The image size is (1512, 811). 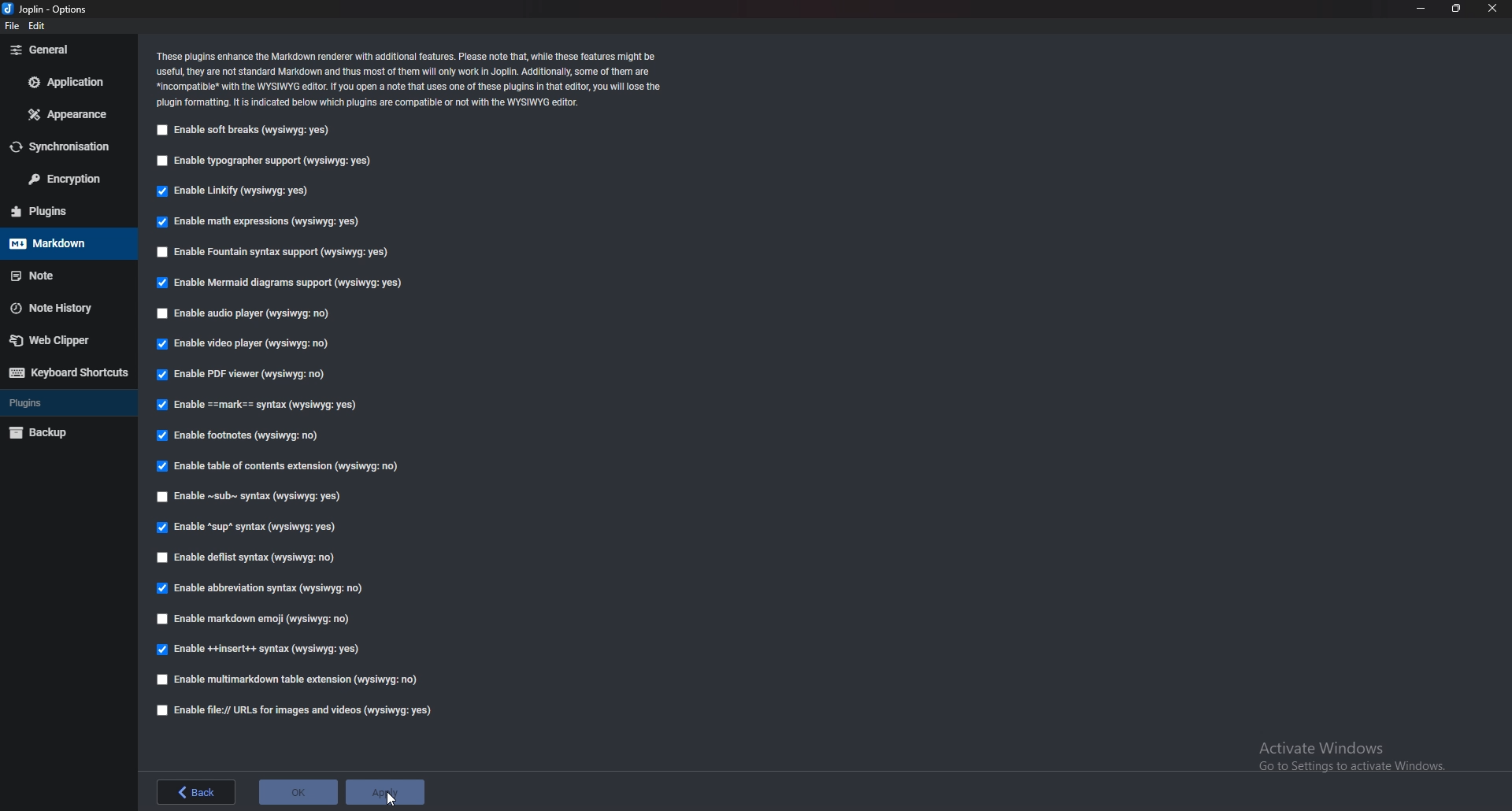 I want to click on enable markdown emoji, so click(x=258, y=618).